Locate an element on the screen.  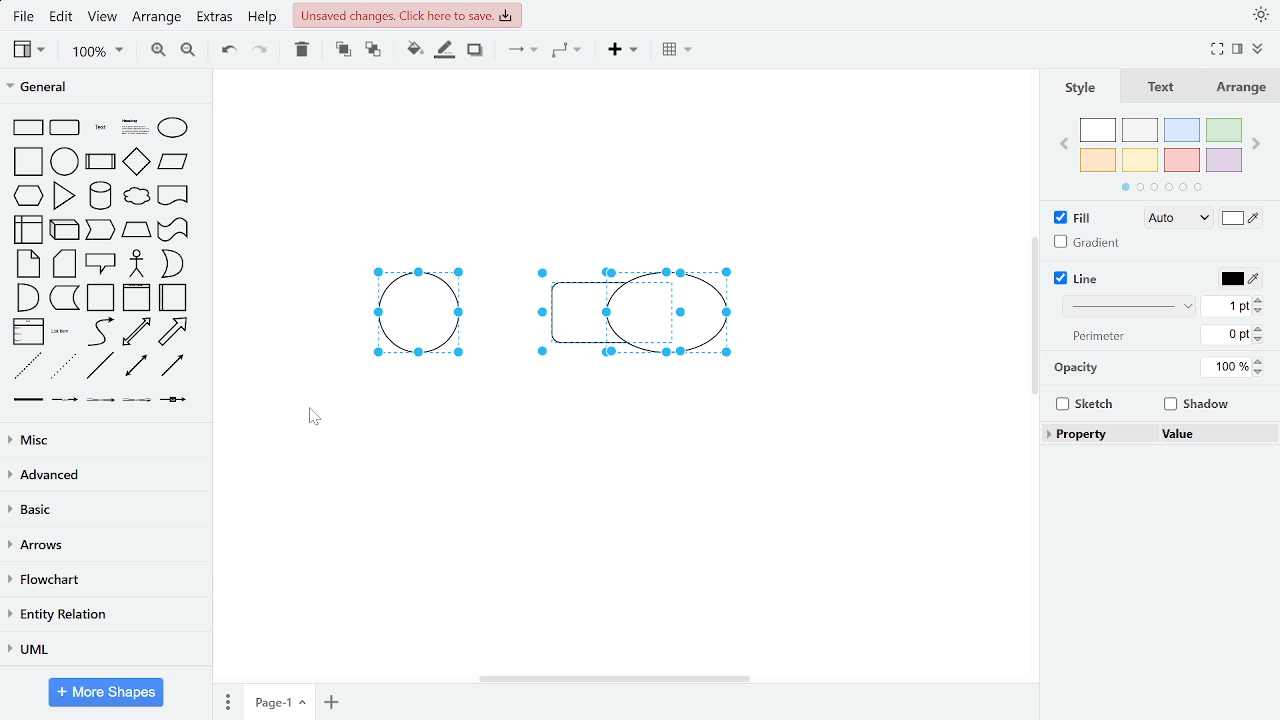
and is located at coordinates (26, 297).